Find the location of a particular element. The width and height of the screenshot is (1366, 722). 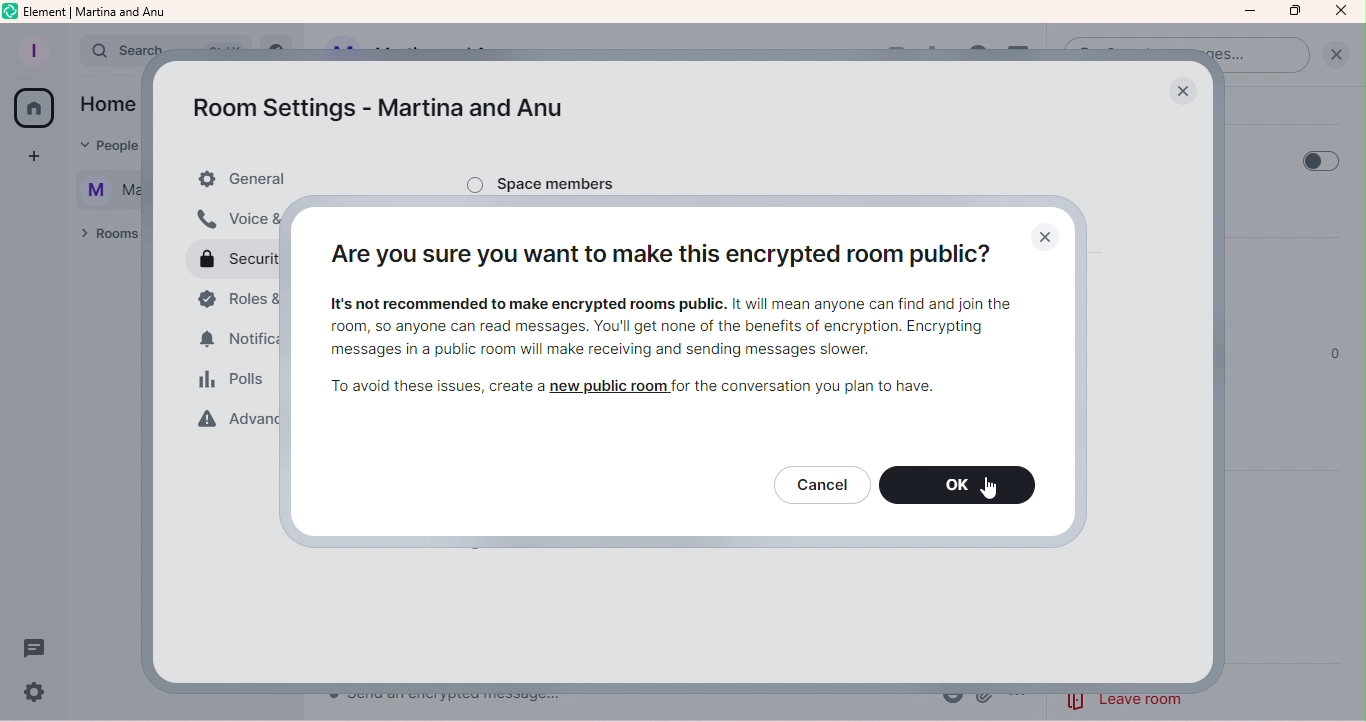

Roles and permissions is located at coordinates (232, 302).